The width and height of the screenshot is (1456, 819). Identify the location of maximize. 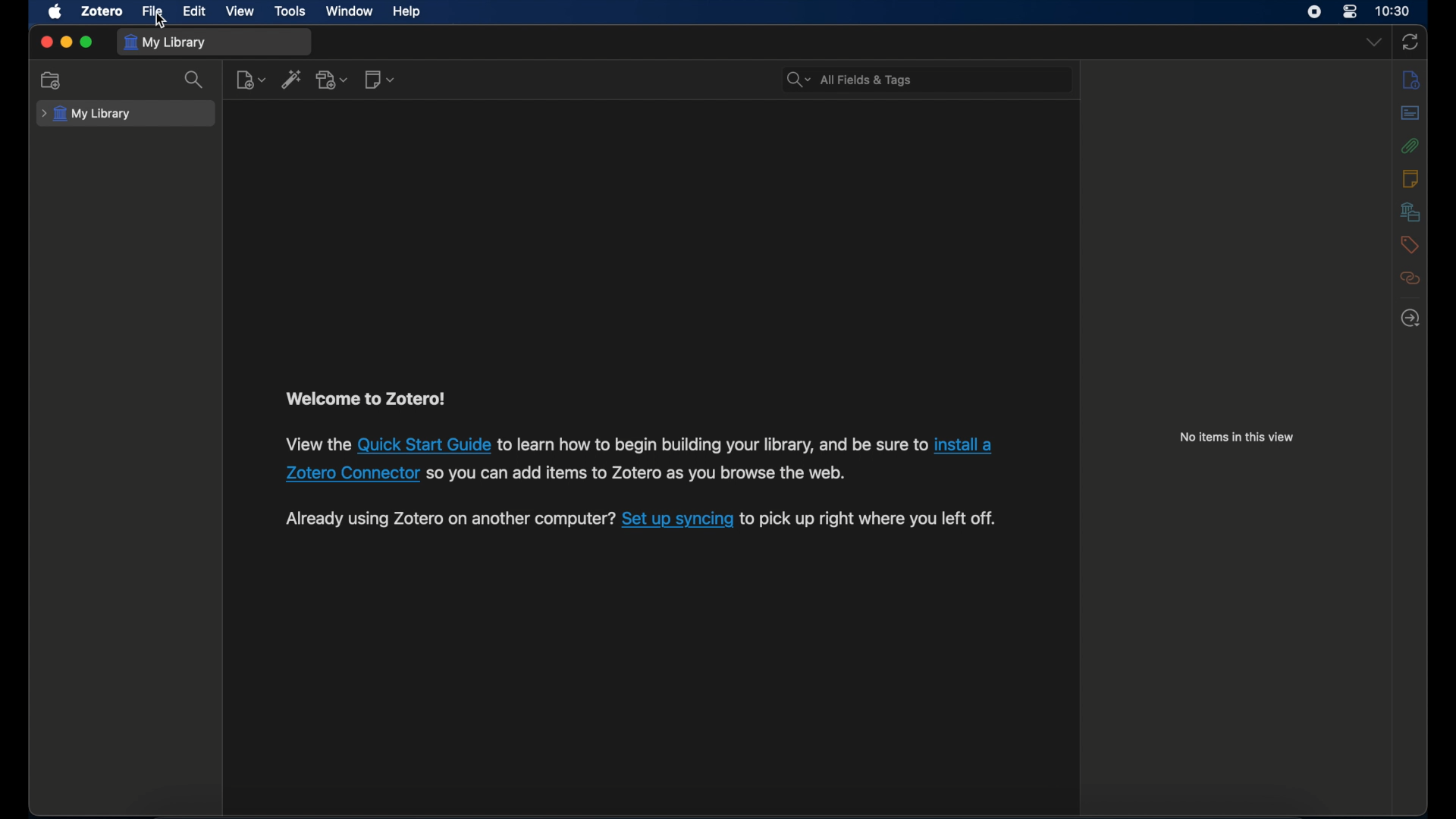
(86, 42).